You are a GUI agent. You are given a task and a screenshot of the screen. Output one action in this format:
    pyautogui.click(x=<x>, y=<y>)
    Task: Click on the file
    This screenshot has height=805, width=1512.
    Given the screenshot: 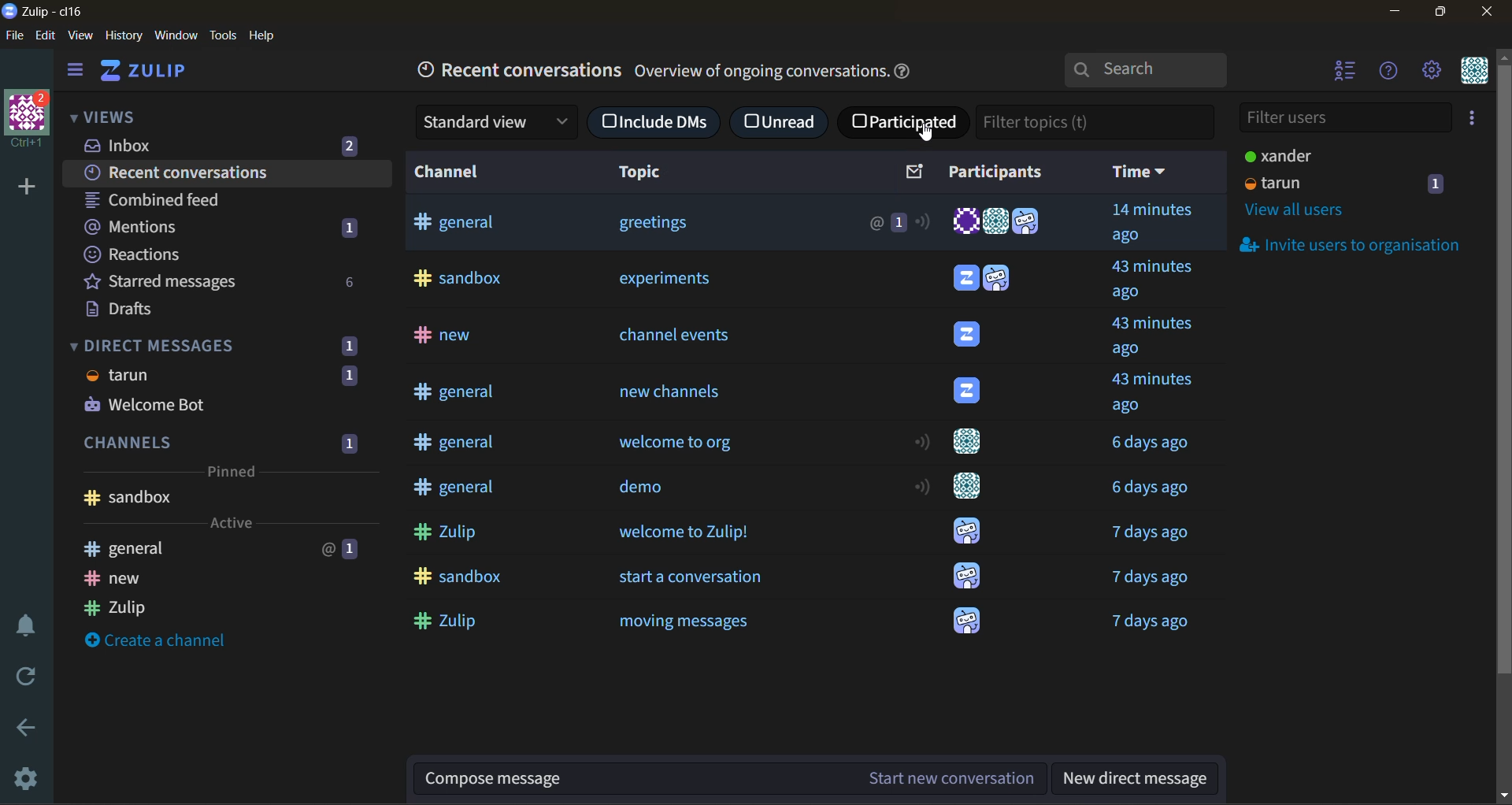 What is the action you would take?
    pyautogui.click(x=15, y=35)
    